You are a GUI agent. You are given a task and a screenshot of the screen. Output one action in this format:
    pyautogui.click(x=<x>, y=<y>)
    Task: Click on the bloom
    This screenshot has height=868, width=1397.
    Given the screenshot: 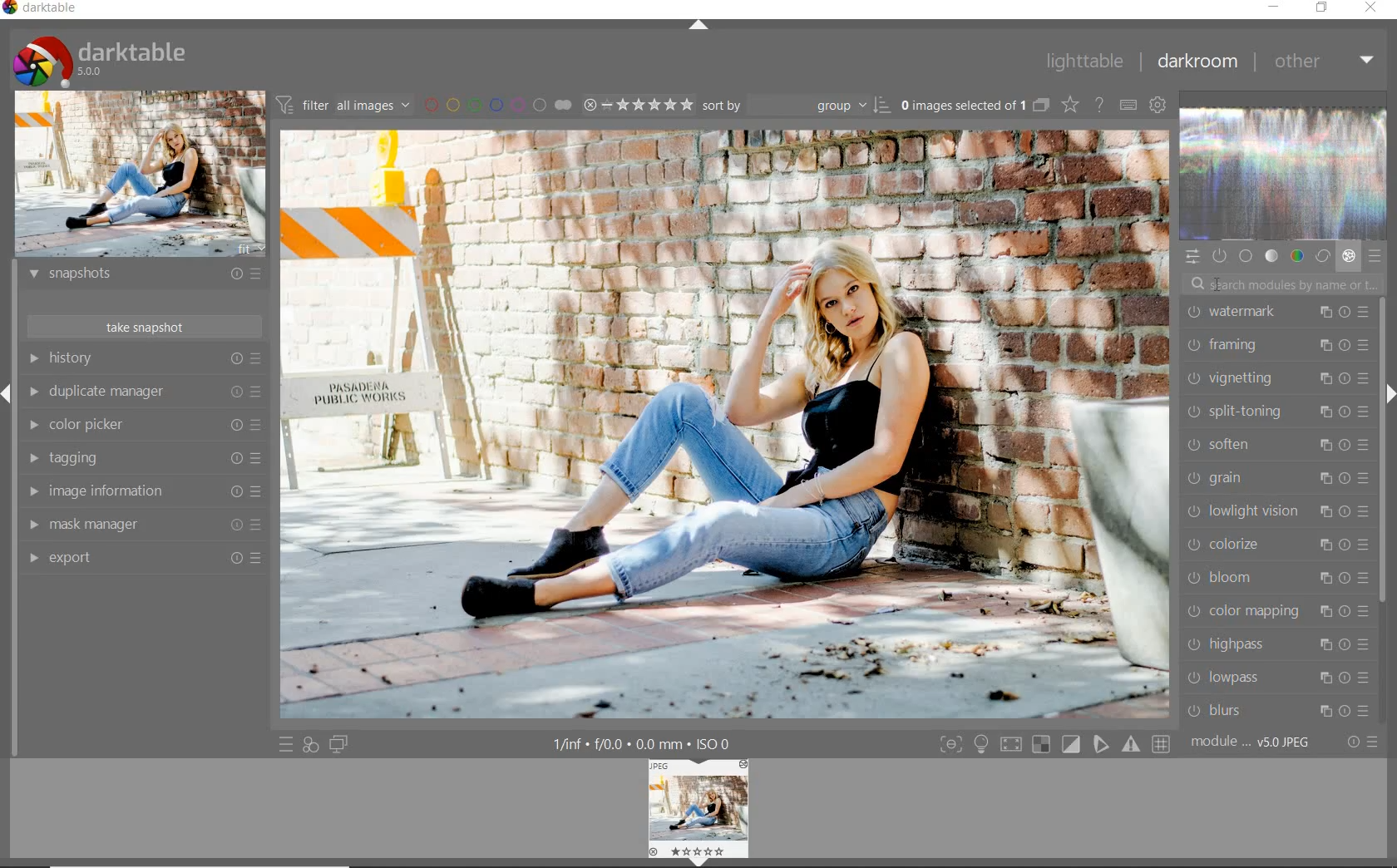 What is the action you would take?
    pyautogui.click(x=1276, y=577)
    